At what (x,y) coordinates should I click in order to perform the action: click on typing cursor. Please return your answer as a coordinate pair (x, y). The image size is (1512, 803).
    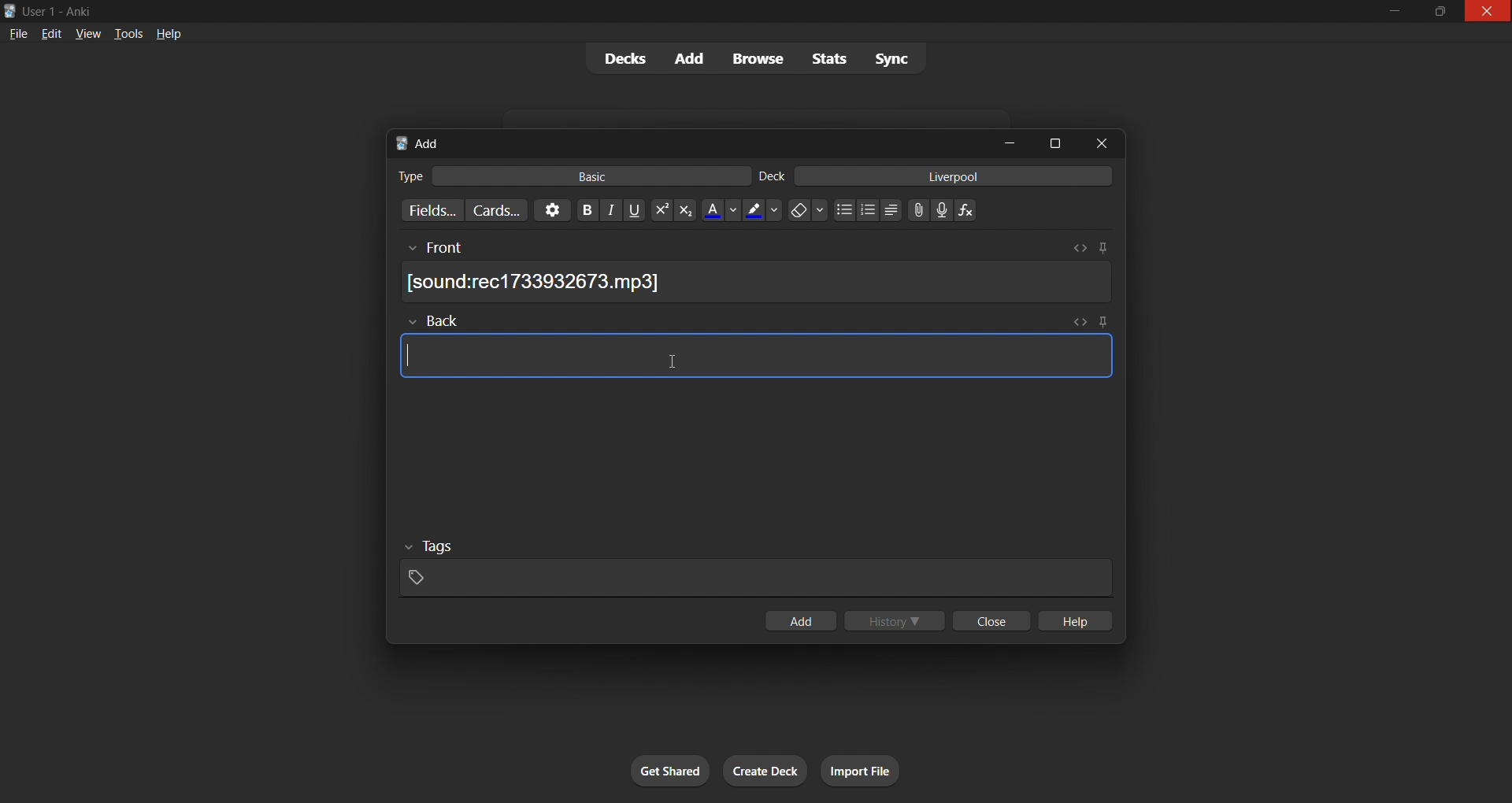
    Looking at the image, I should click on (405, 354).